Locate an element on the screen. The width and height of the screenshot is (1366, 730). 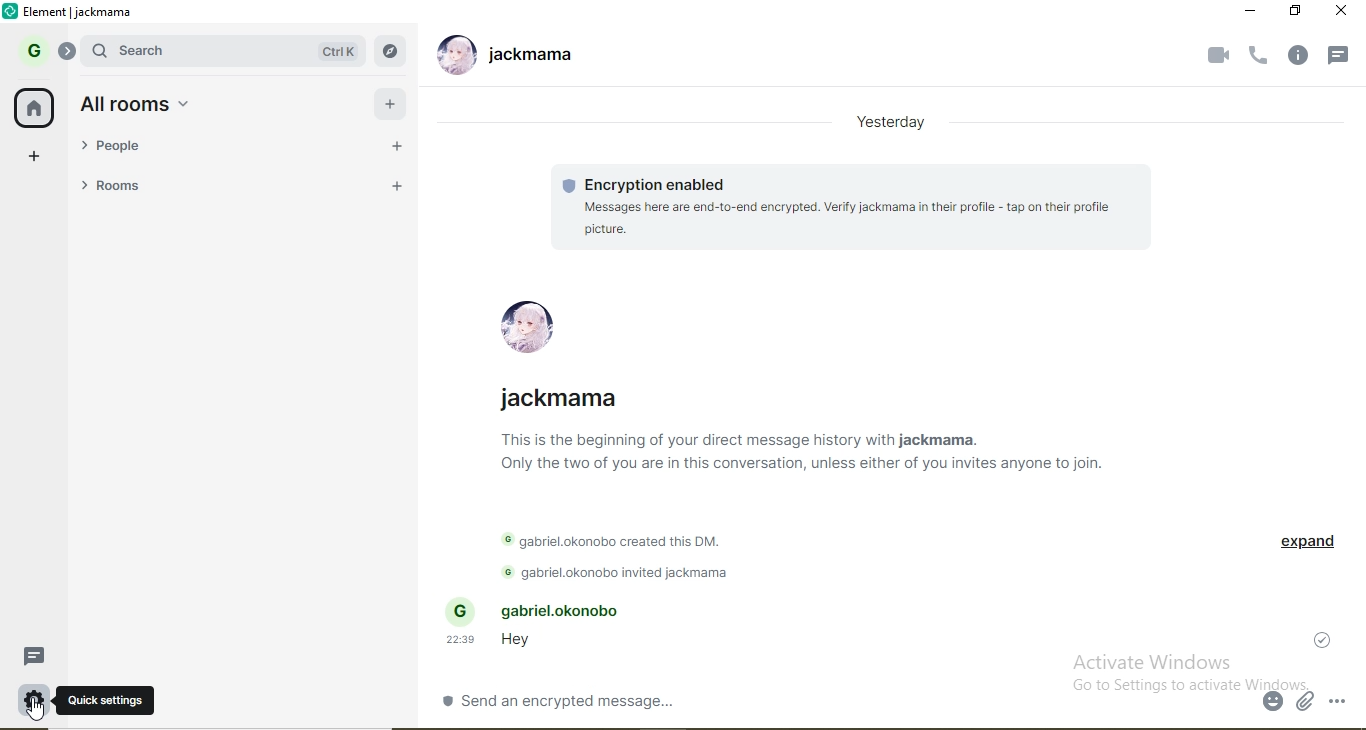
profile picture is located at coordinates (531, 321).